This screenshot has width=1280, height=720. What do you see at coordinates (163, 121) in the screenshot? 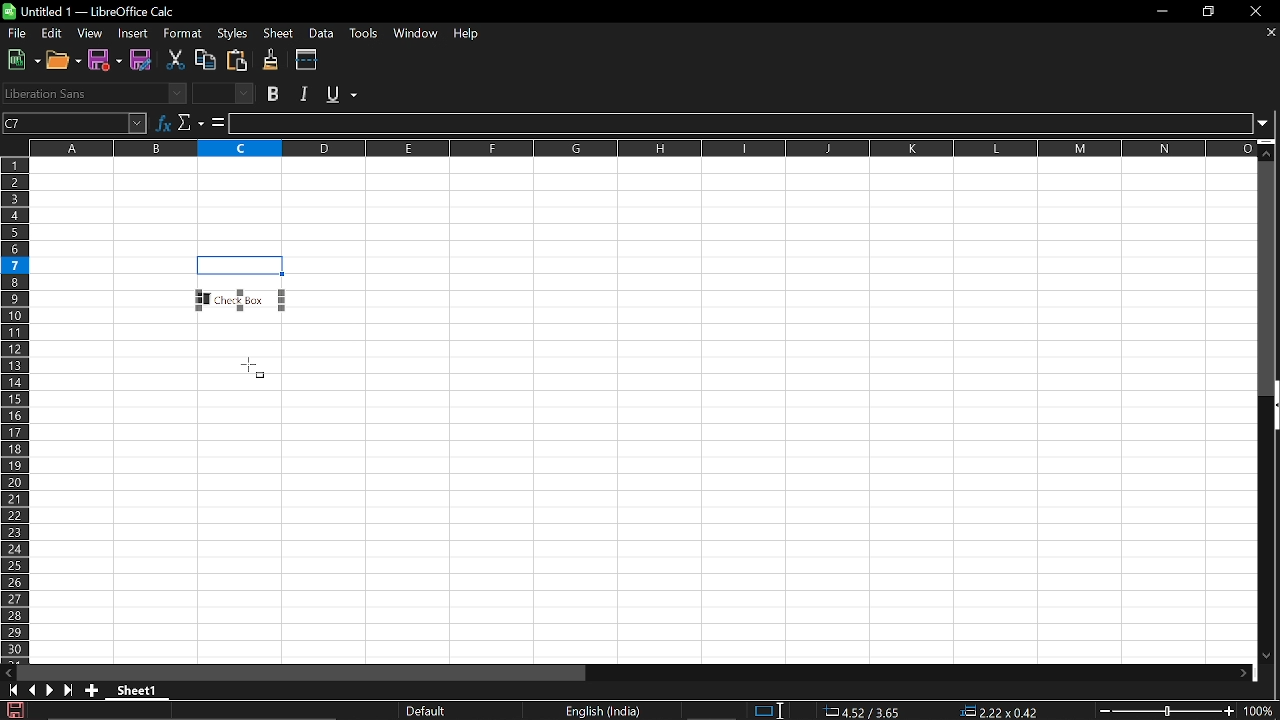
I see `Formula wizard` at bounding box center [163, 121].